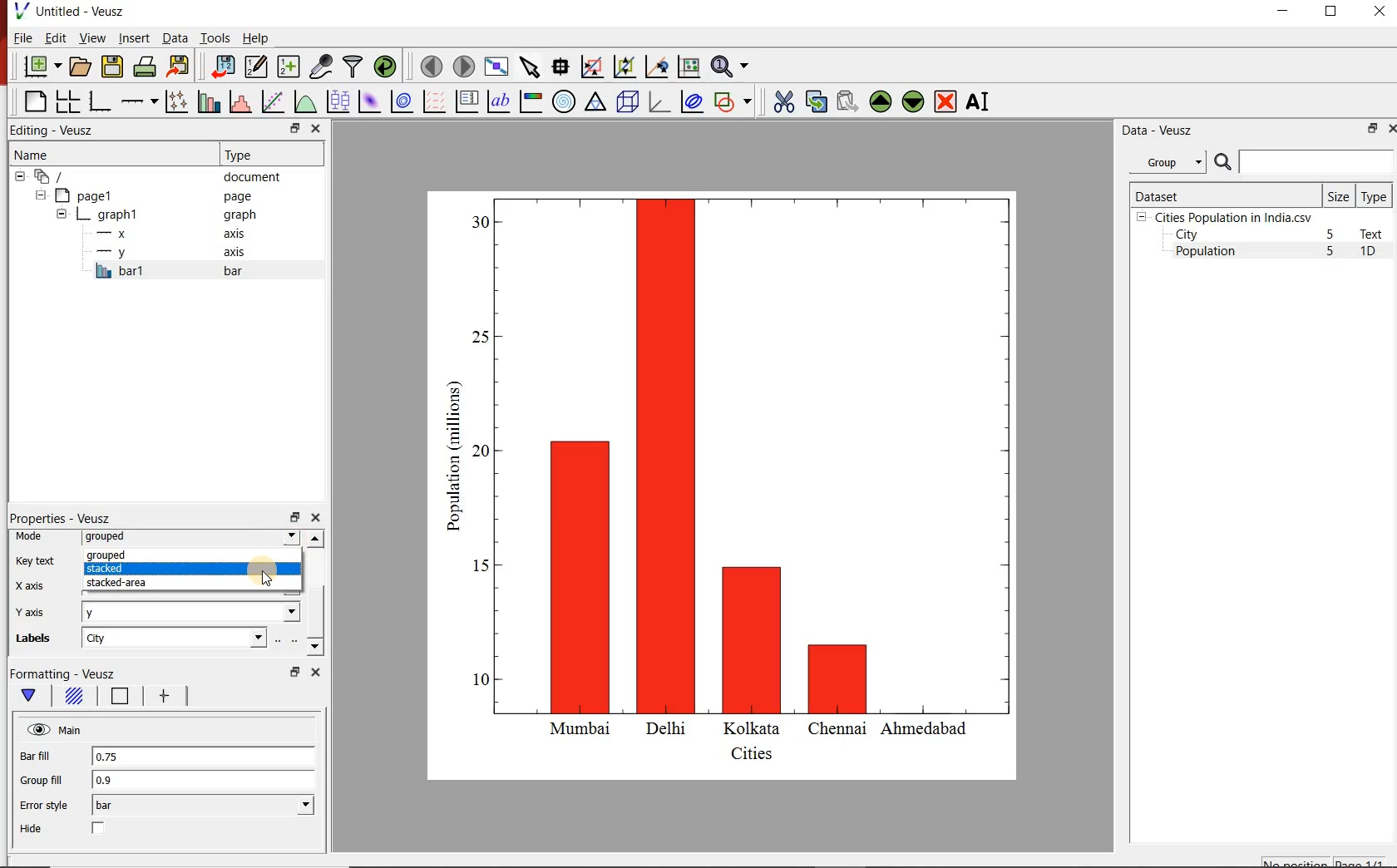  What do you see at coordinates (304, 101) in the screenshot?
I see `plot a function` at bounding box center [304, 101].